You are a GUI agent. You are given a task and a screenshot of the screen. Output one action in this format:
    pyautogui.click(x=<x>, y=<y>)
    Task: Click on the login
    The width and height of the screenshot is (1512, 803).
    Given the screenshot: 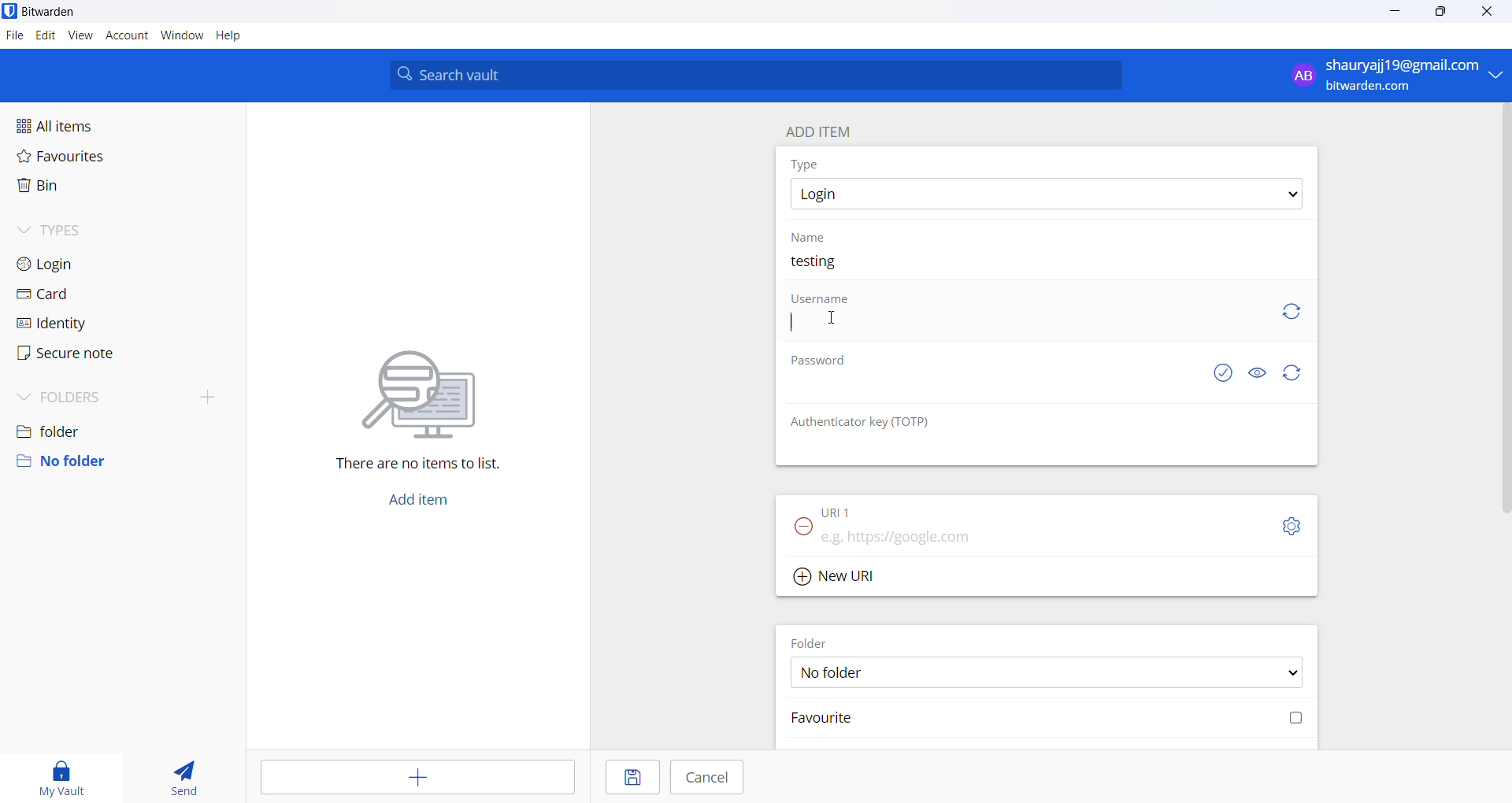 What is the action you would take?
    pyautogui.click(x=82, y=265)
    